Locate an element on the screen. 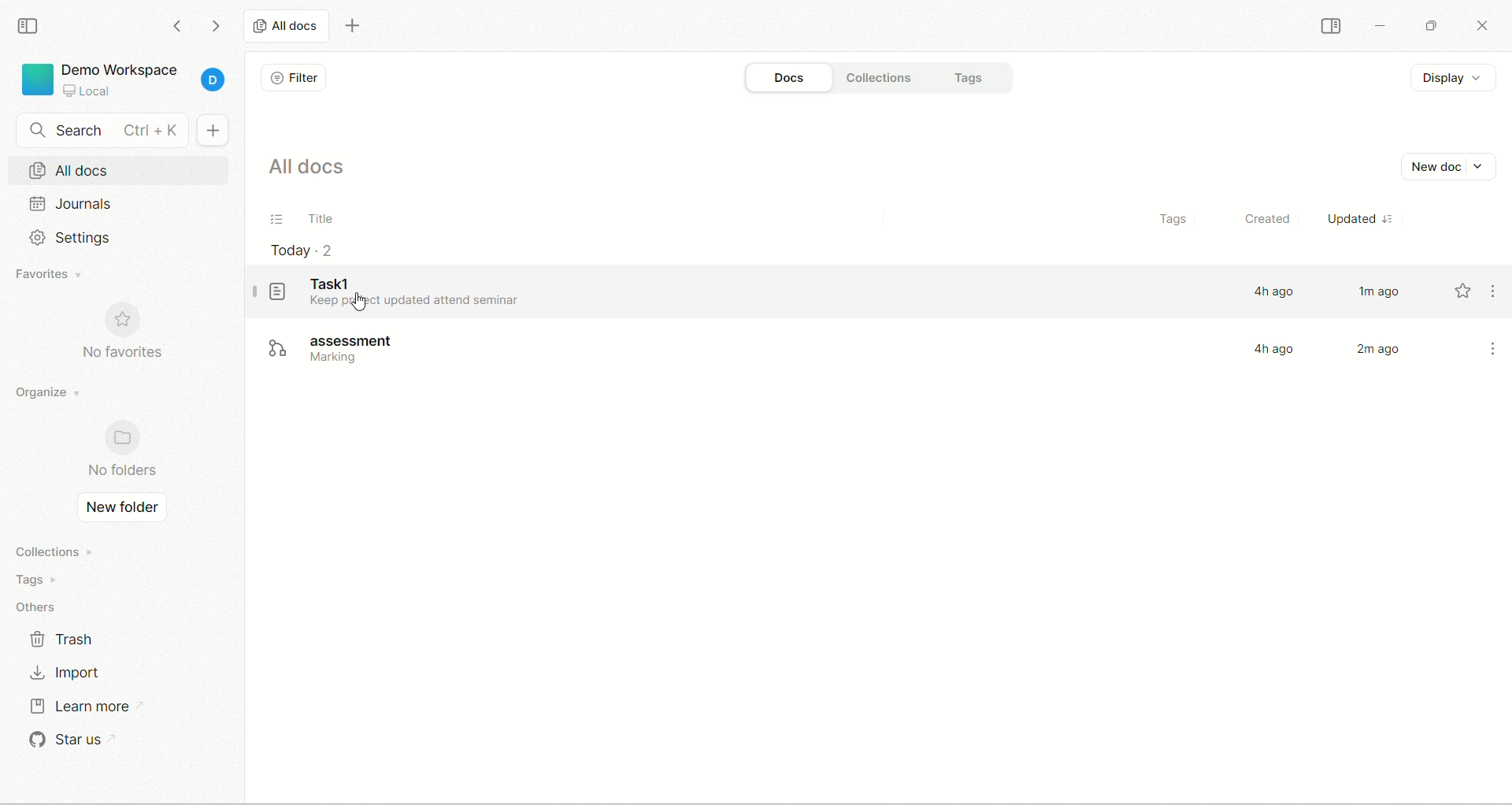 This screenshot has height=805, width=1512. all docs is located at coordinates (120, 172).